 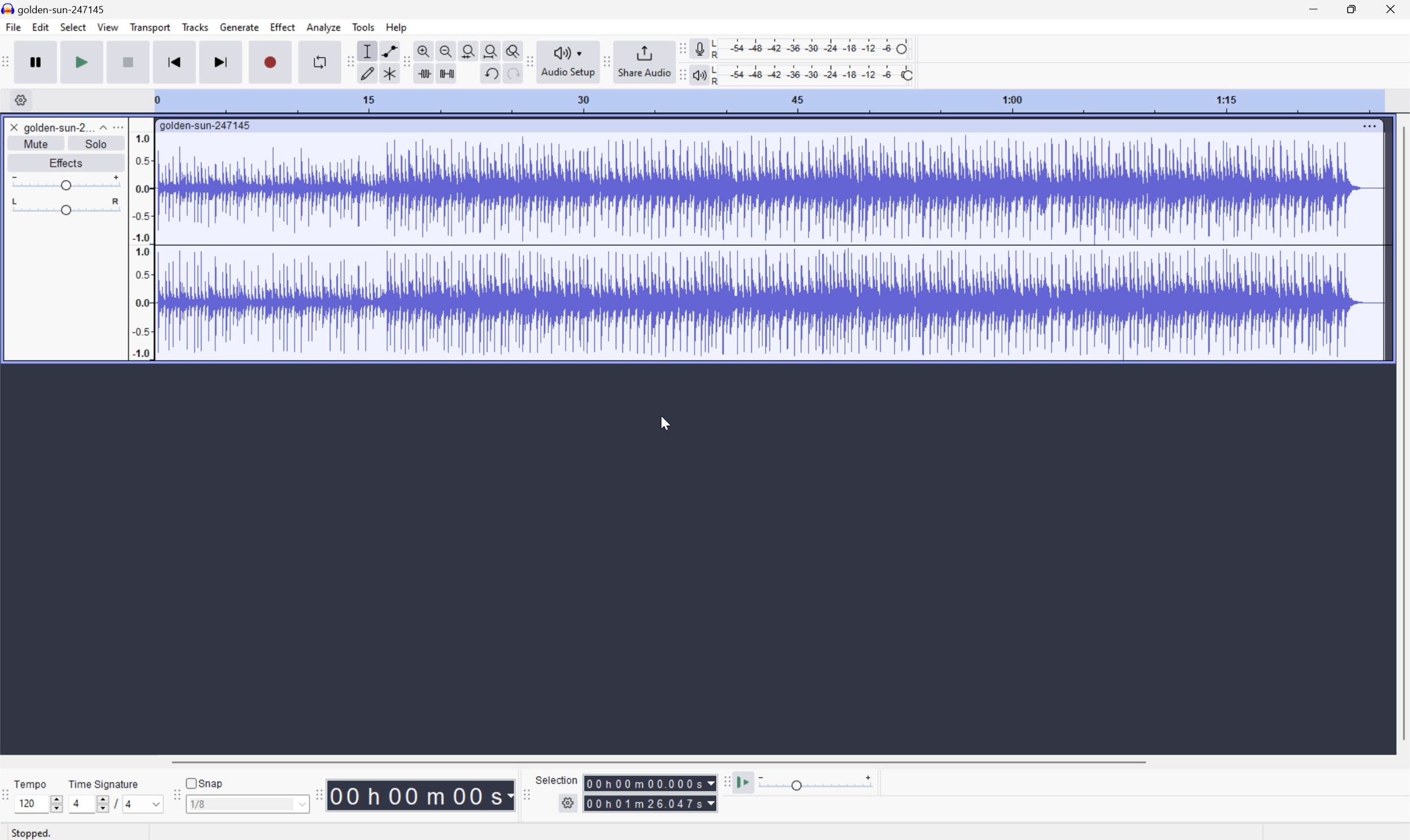 I want to click on Drop Down, so click(x=101, y=126).